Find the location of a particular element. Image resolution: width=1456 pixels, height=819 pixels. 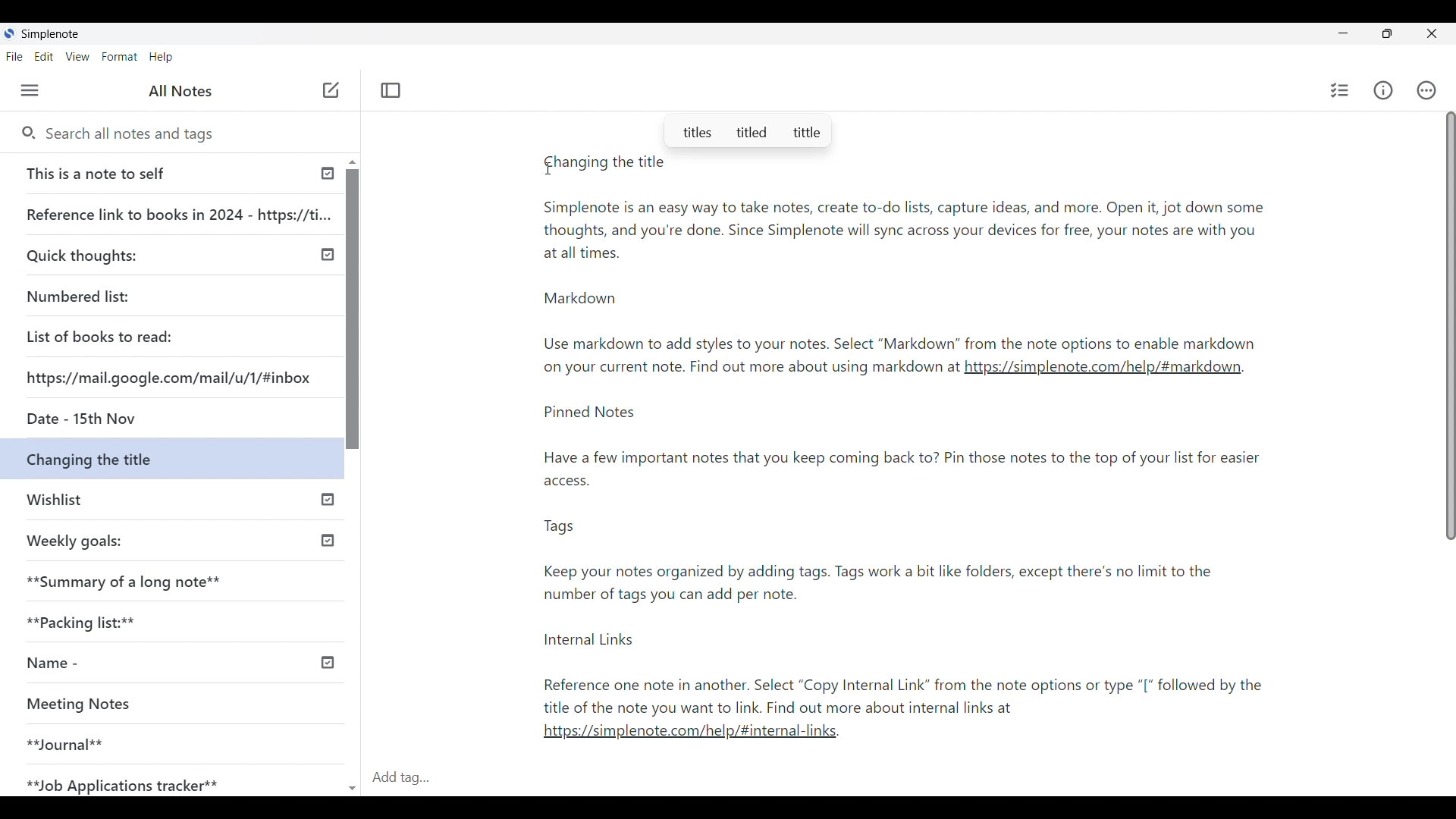

Meeting Notes is located at coordinates (86, 702).